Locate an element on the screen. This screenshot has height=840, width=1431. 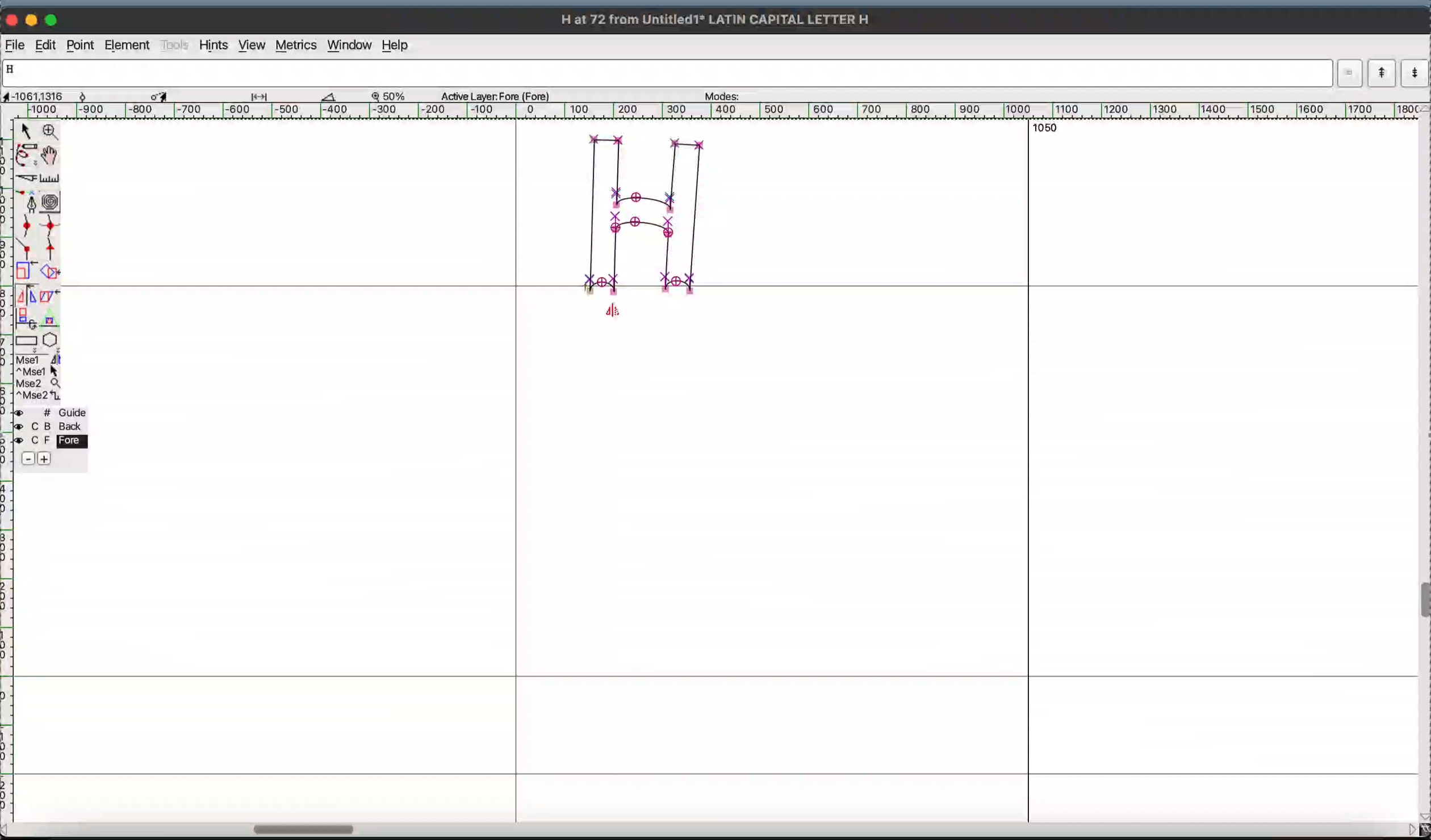
modes is located at coordinates (747, 95).